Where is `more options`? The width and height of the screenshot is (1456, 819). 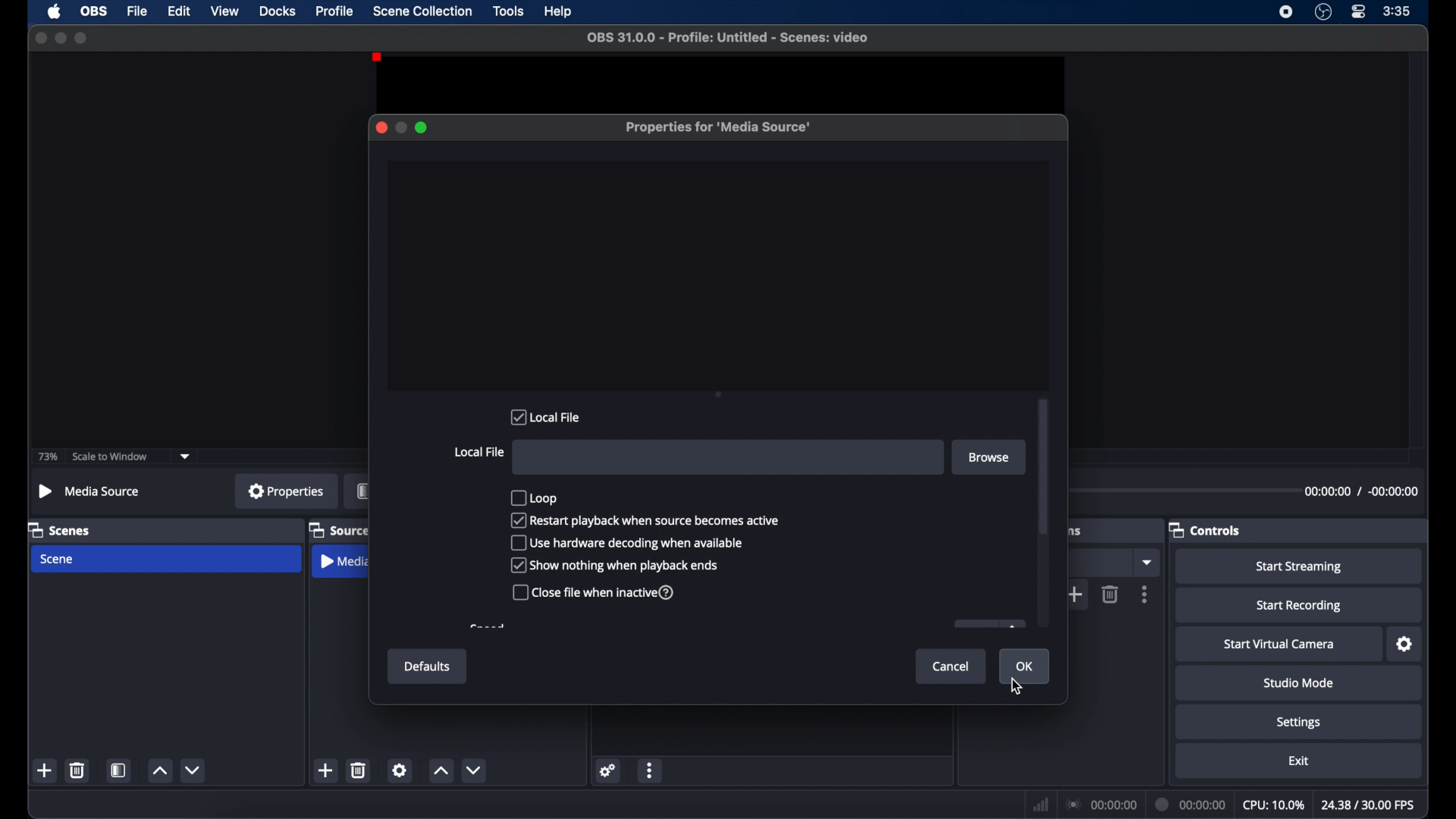
more options is located at coordinates (1145, 593).